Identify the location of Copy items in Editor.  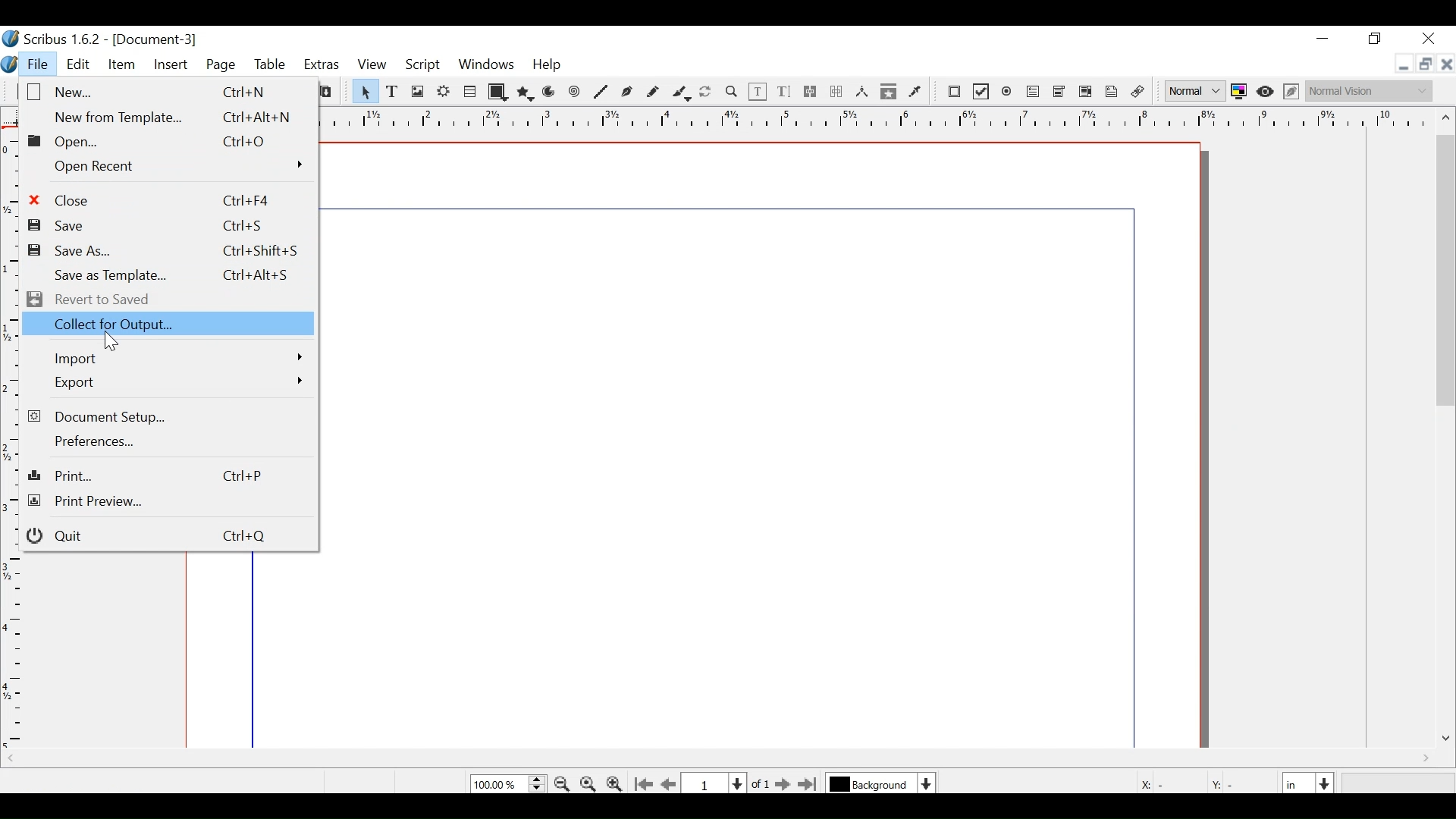
(889, 93).